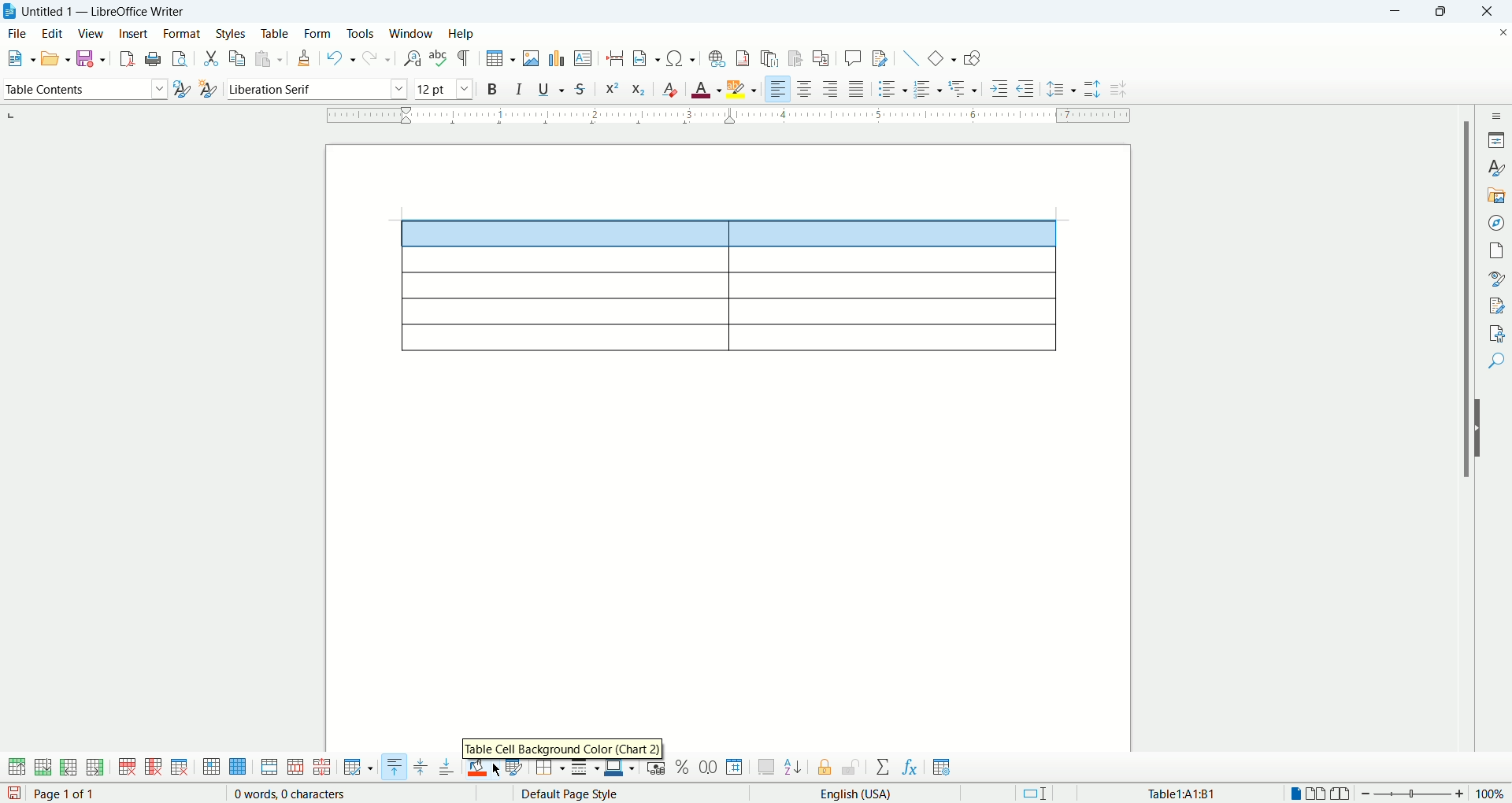 The width and height of the screenshot is (1512, 803). What do you see at coordinates (293, 768) in the screenshot?
I see `split cells` at bounding box center [293, 768].